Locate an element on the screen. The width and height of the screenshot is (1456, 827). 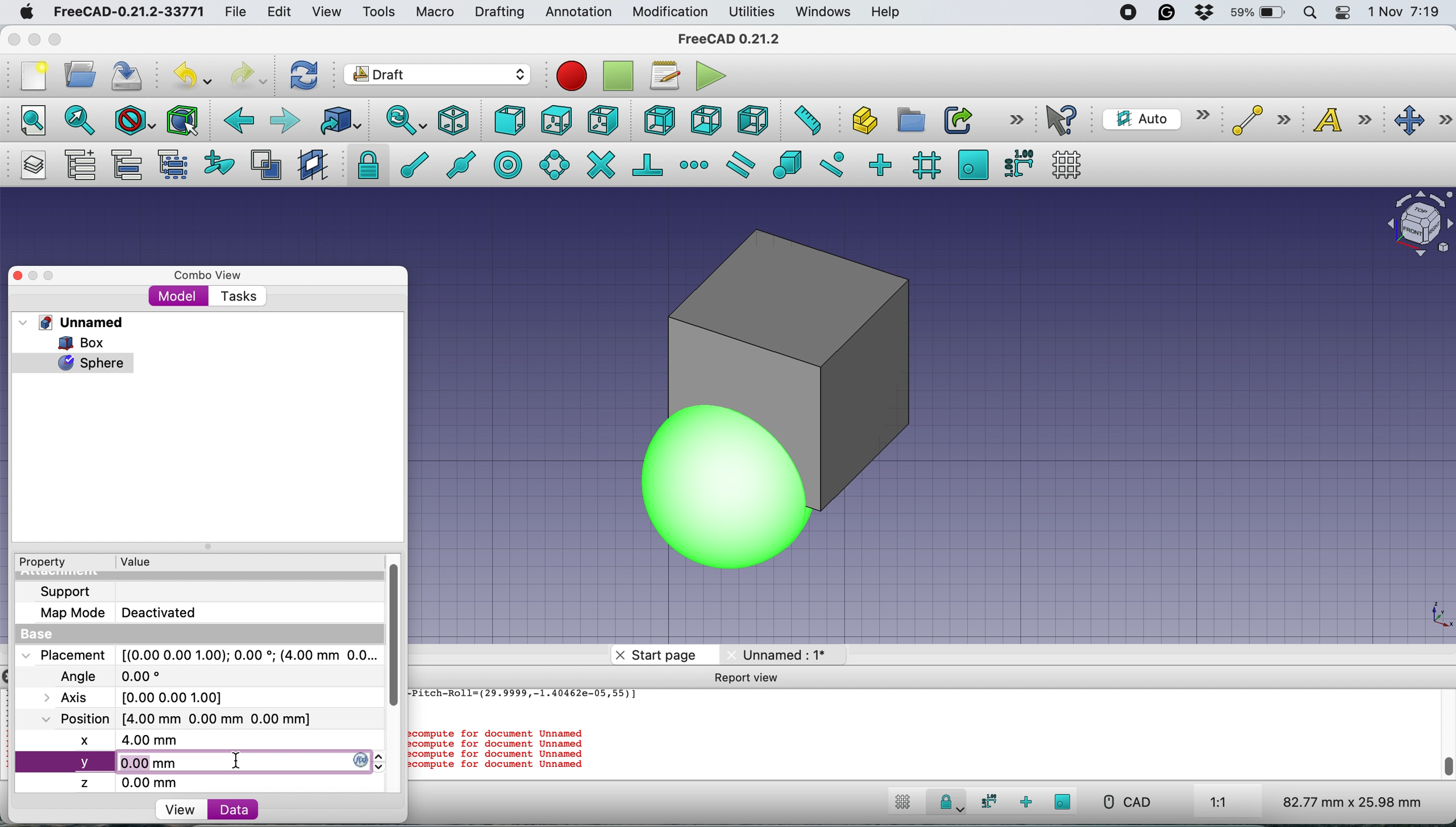
z axis is located at coordinates (136, 783).